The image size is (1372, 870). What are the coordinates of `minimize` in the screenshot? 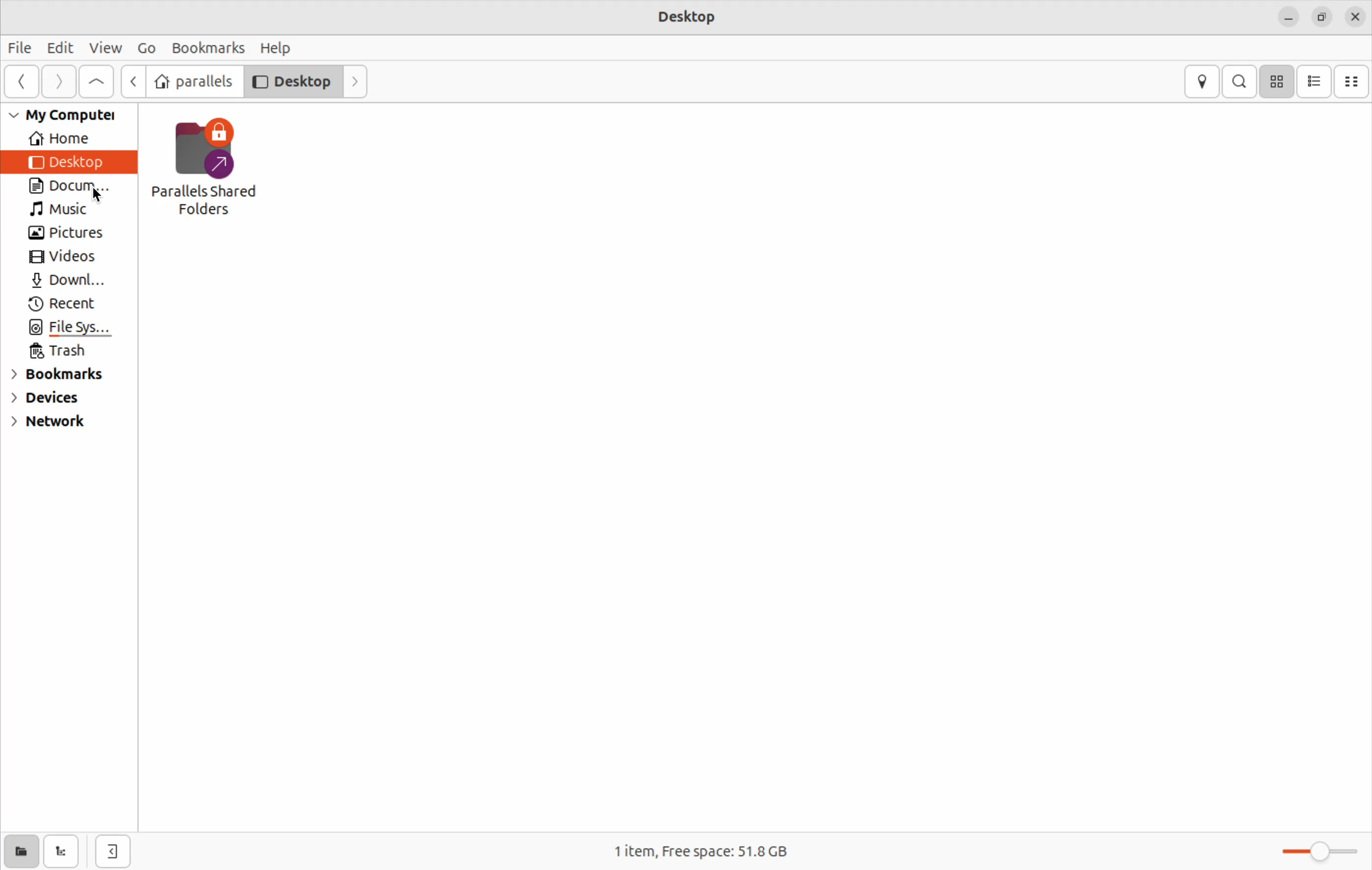 It's located at (1289, 17).